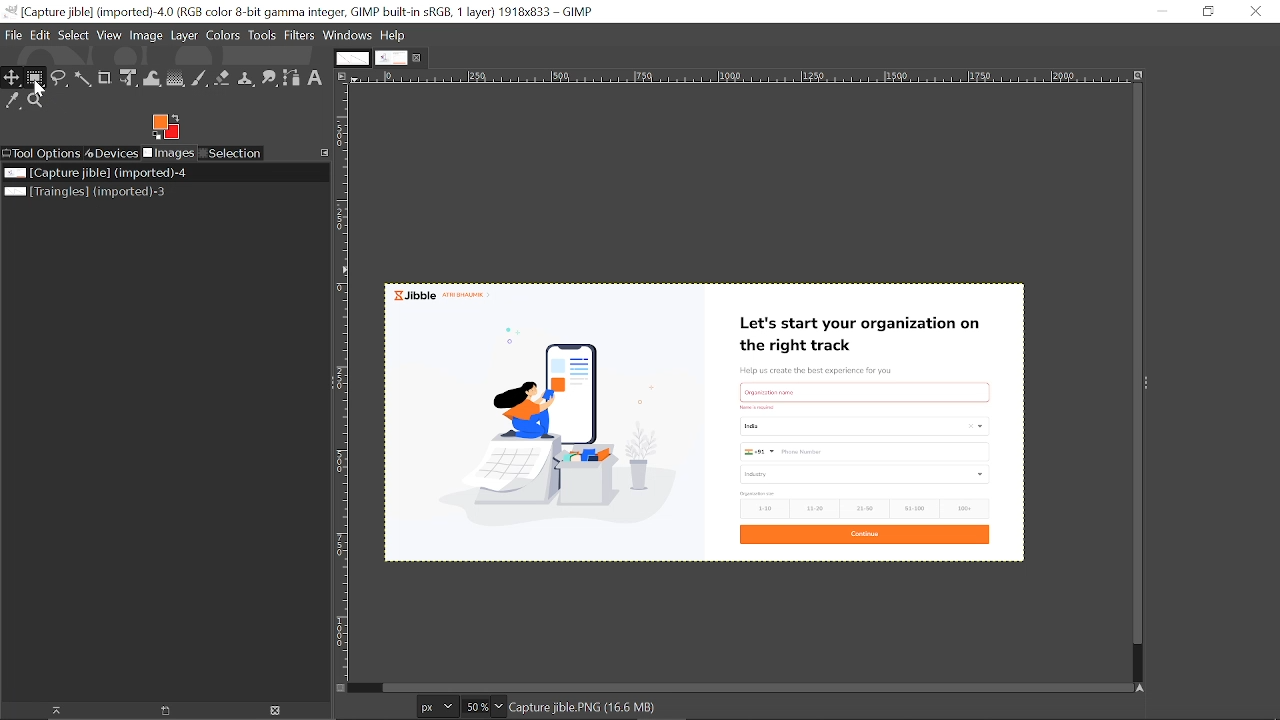  Describe the element at coordinates (299, 36) in the screenshot. I see `Filters` at that location.